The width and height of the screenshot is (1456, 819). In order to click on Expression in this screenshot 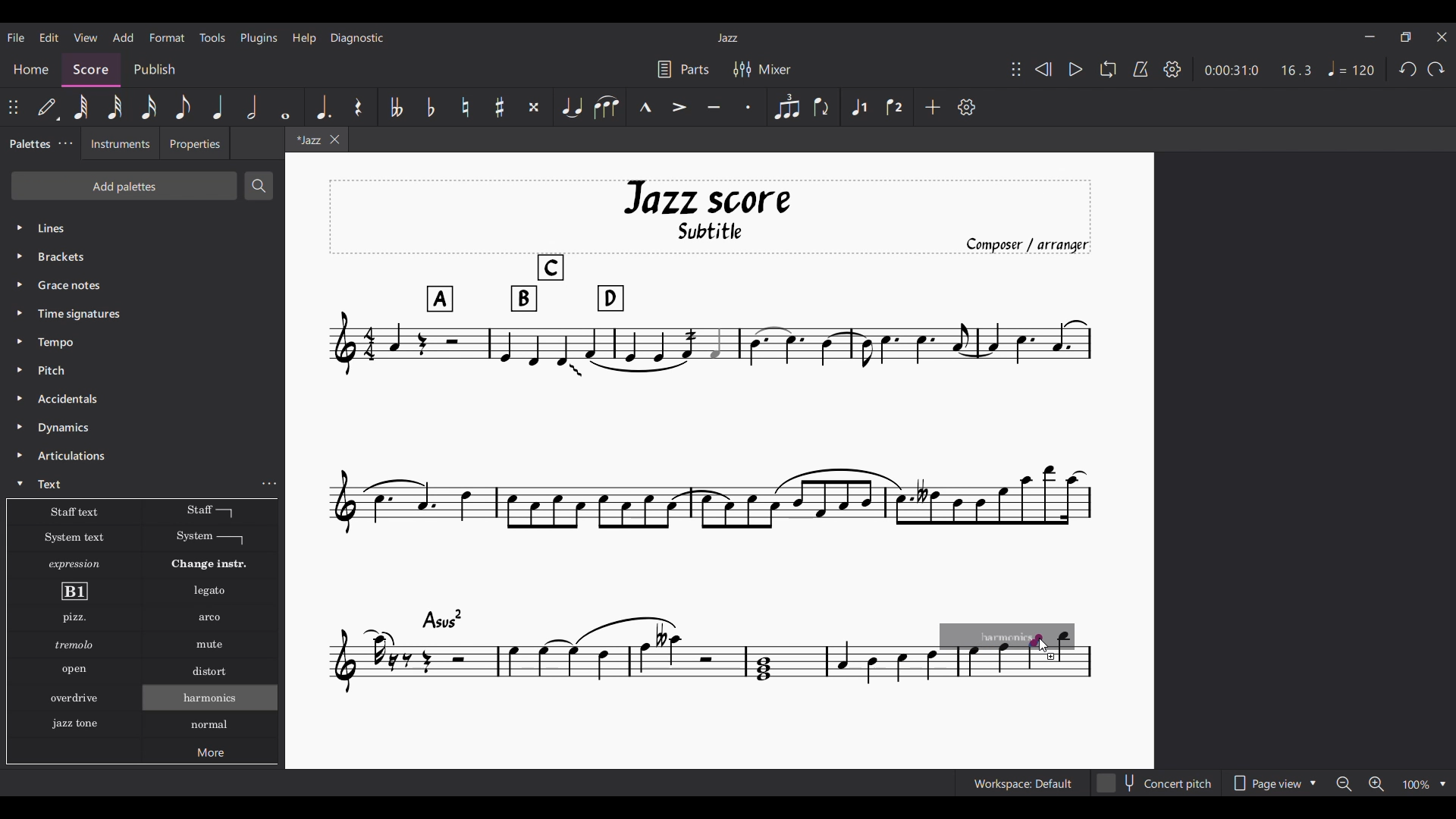, I will do `click(77, 564)`.